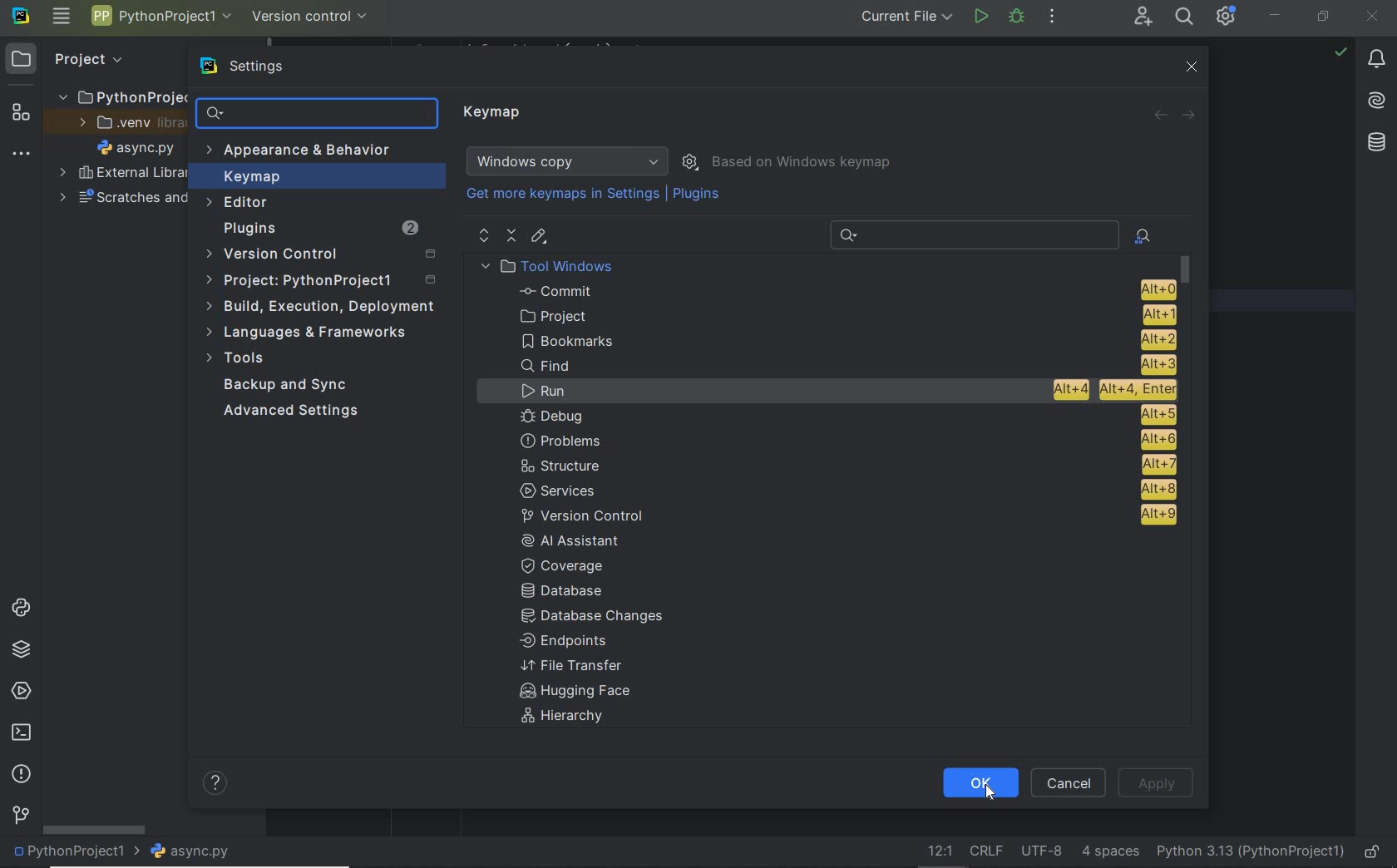 The height and width of the screenshot is (868, 1397). What do you see at coordinates (301, 151) in the screenshot?
I see `Appearance & Behavior` at bounding box center [301, 151].